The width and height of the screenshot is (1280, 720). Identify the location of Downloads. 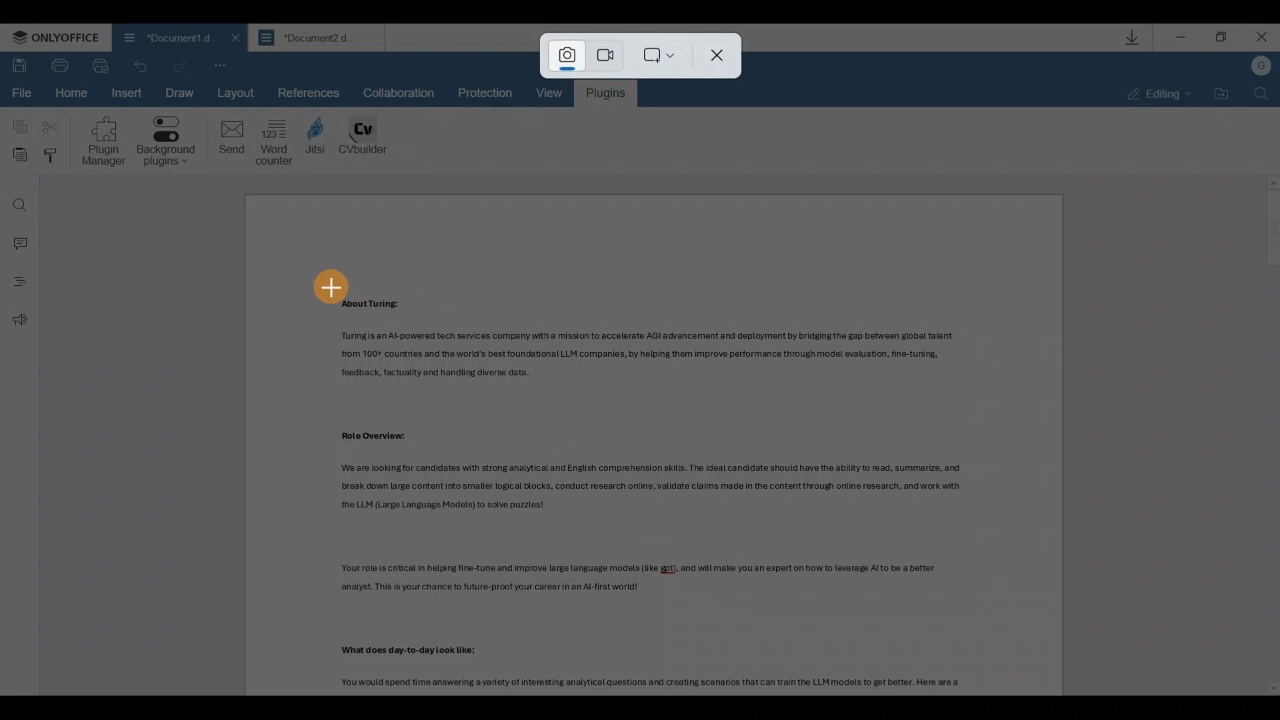
(1129, 37).